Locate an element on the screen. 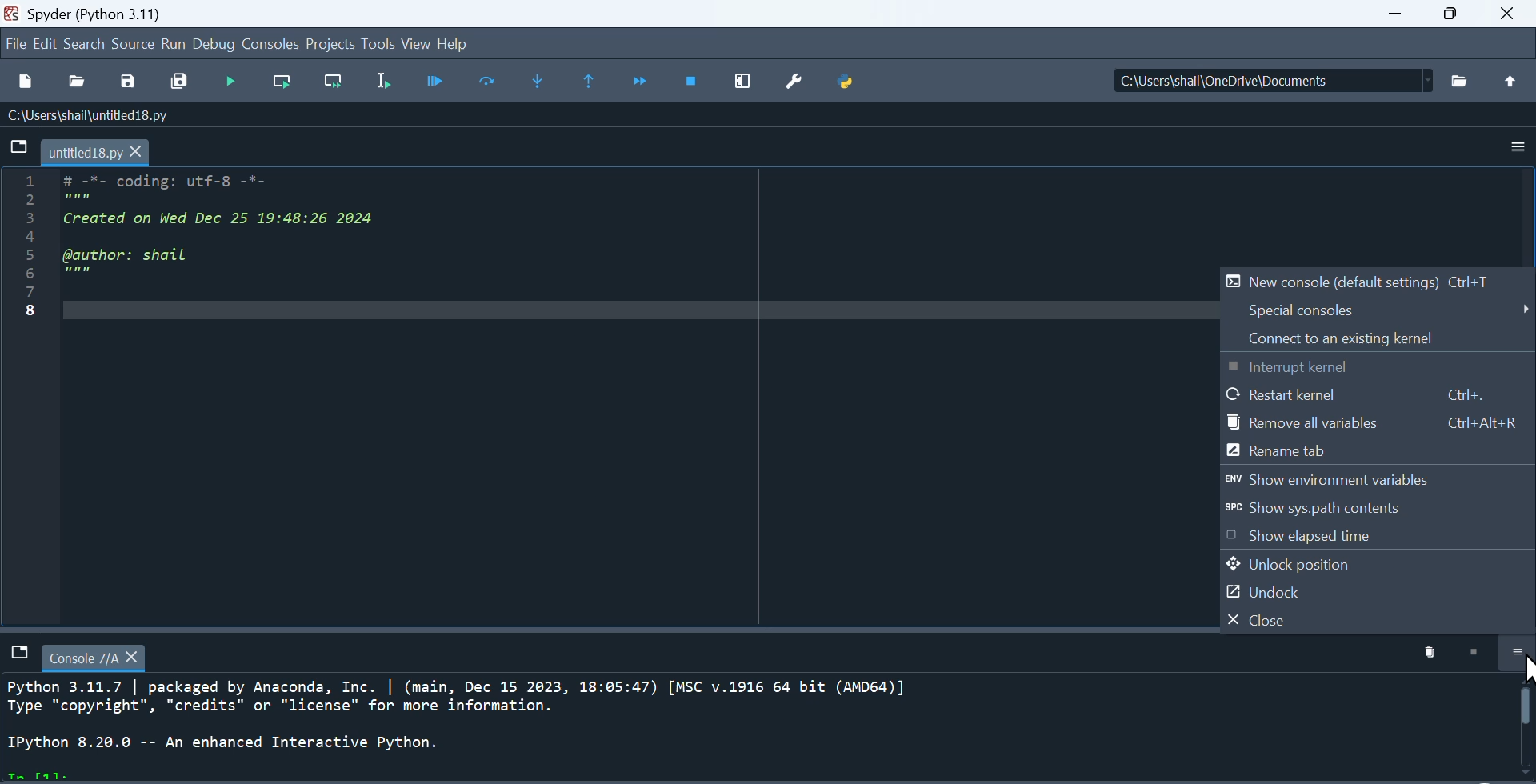 This screenshot has width=1536, height=784. delete kernel is located at coordinates (1434, 654).